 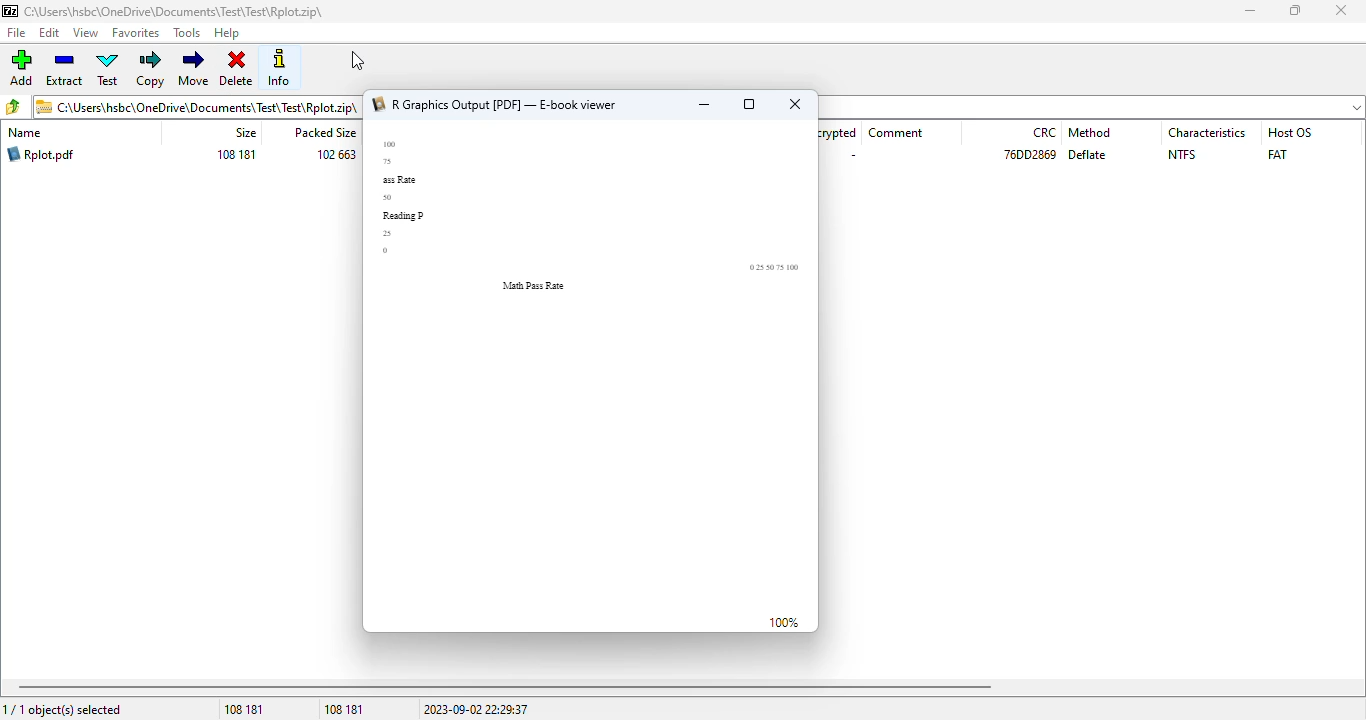 I want to click on characteristics, so click(x=1208, y=133).